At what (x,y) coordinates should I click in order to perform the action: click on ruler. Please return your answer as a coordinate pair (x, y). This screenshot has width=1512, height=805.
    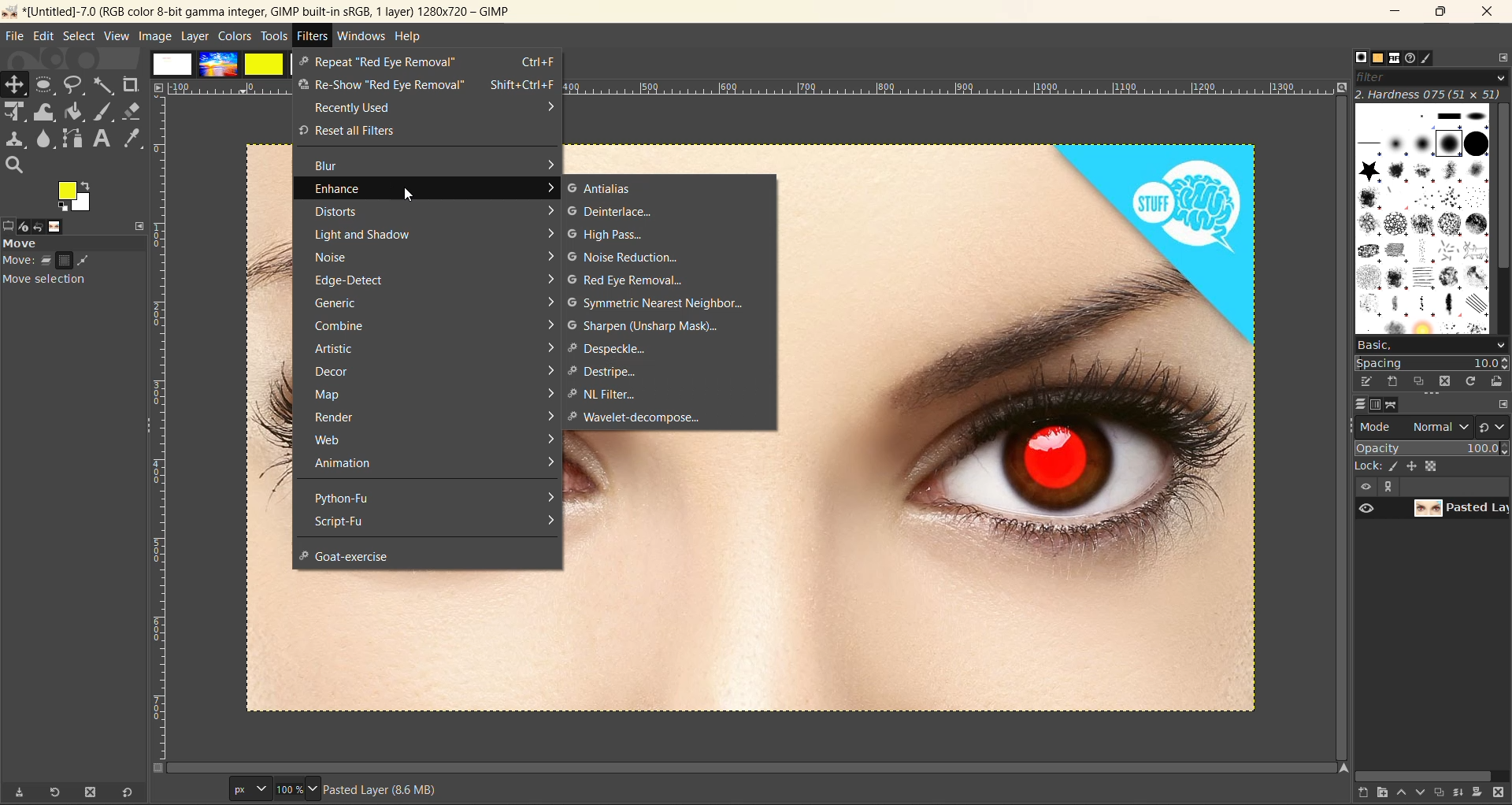
    Looking at the image, I should click on (957, 87).